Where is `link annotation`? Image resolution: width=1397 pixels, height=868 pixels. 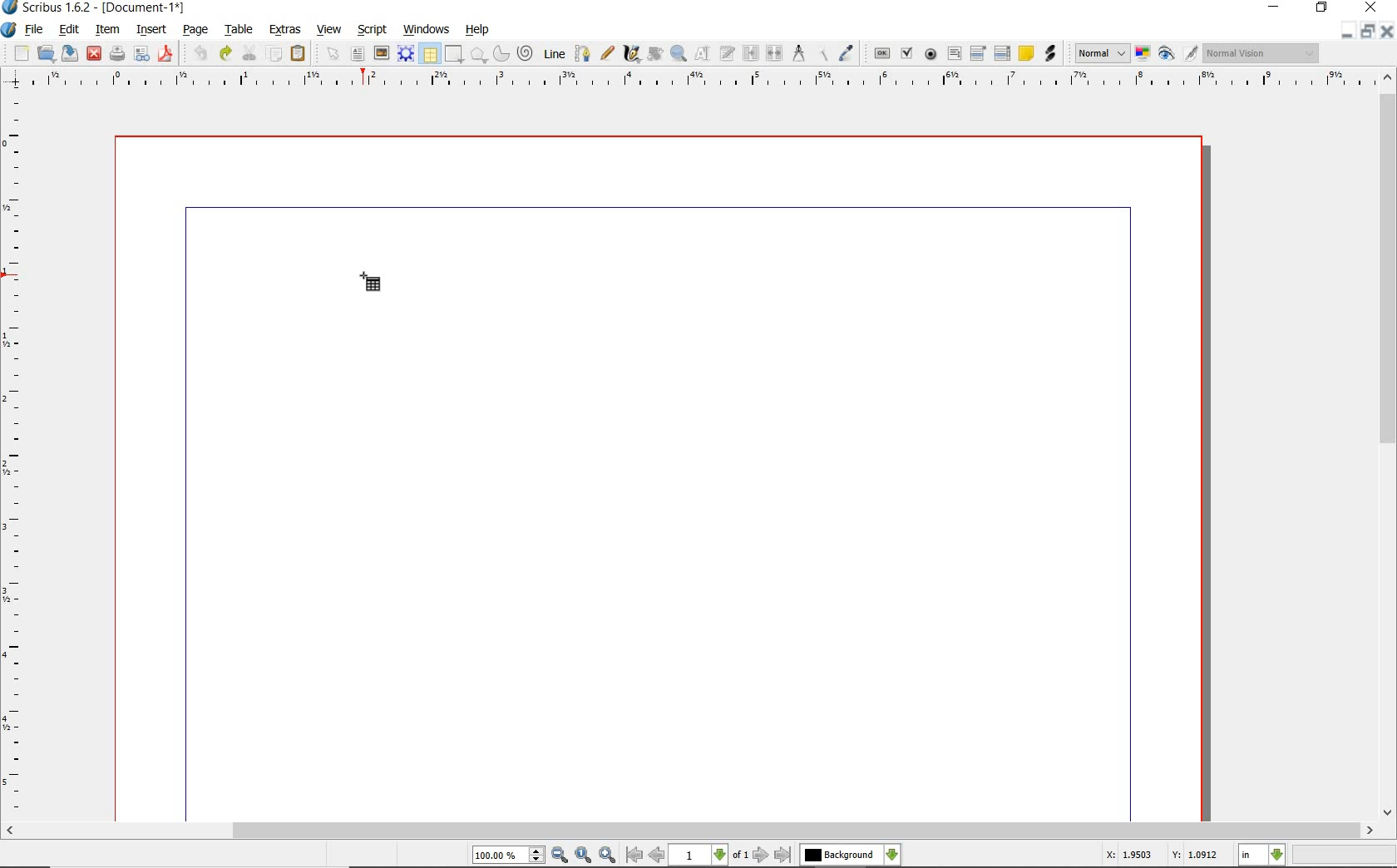 link annotation is located at coordinates (1049, 53).